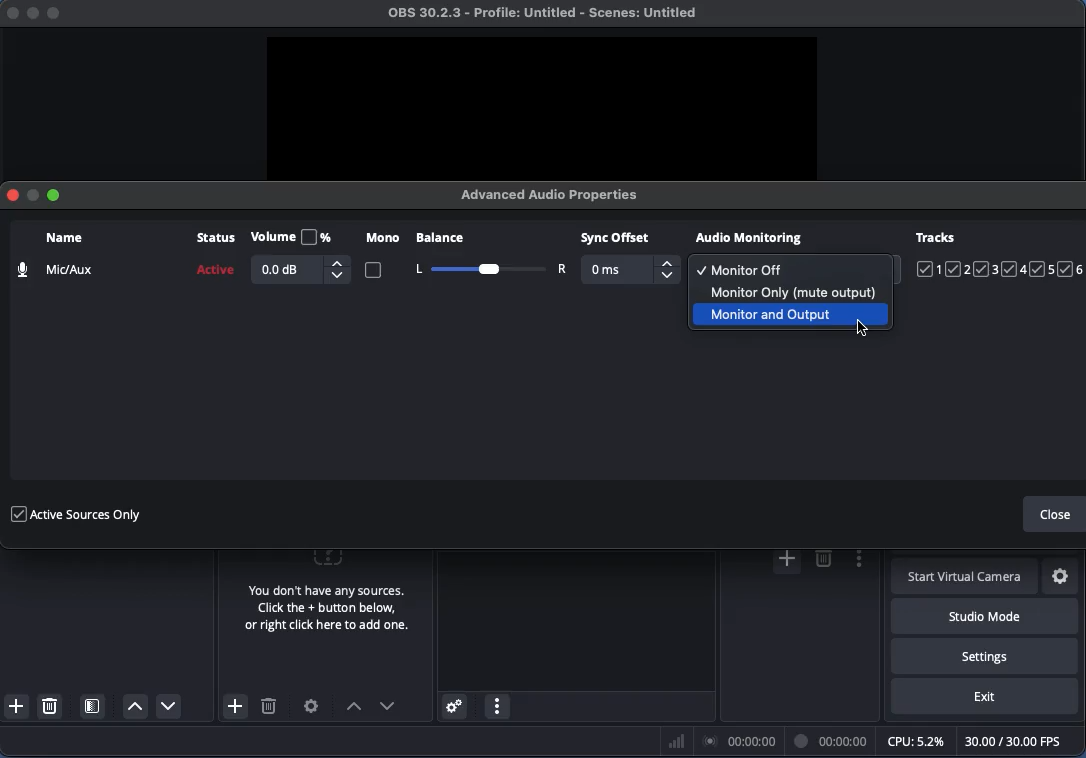  What do you see at coordinates (741, 269) in the screenshot?
I see `Monitor off` at bounding box center [741, 269].